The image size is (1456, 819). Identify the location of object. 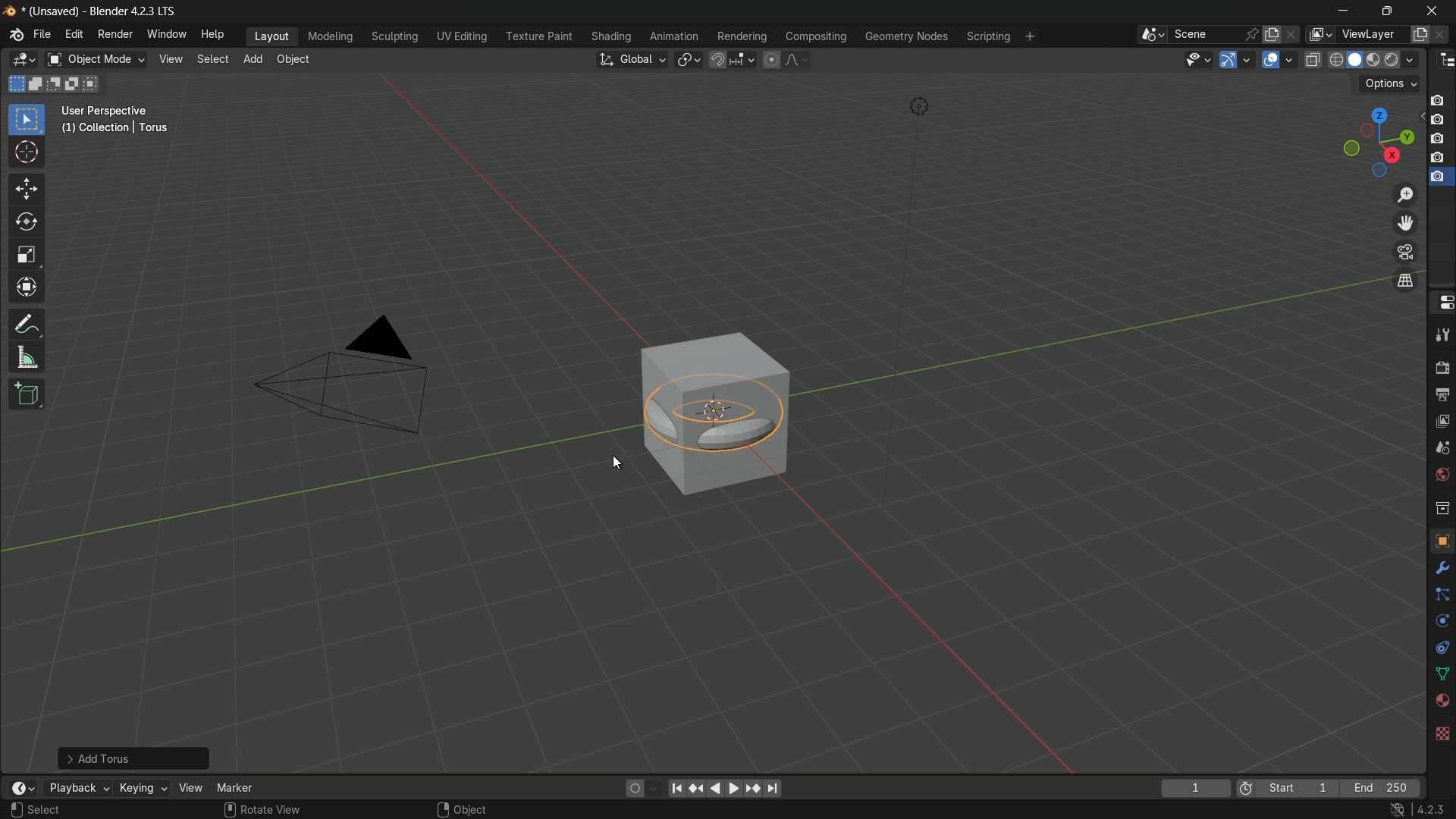
(1442, 540).